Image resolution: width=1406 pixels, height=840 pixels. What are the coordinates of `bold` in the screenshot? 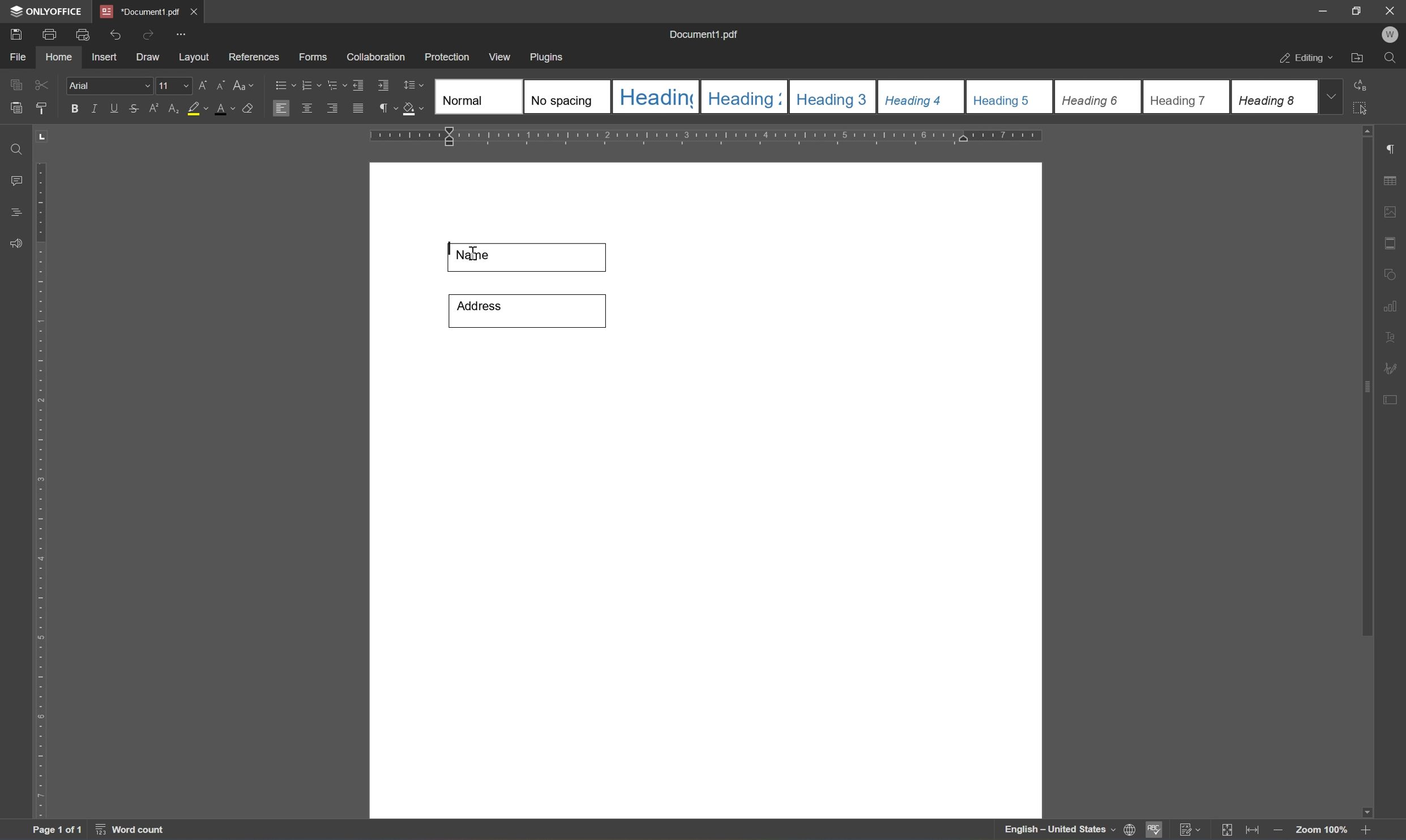 It's located at (73, 109).